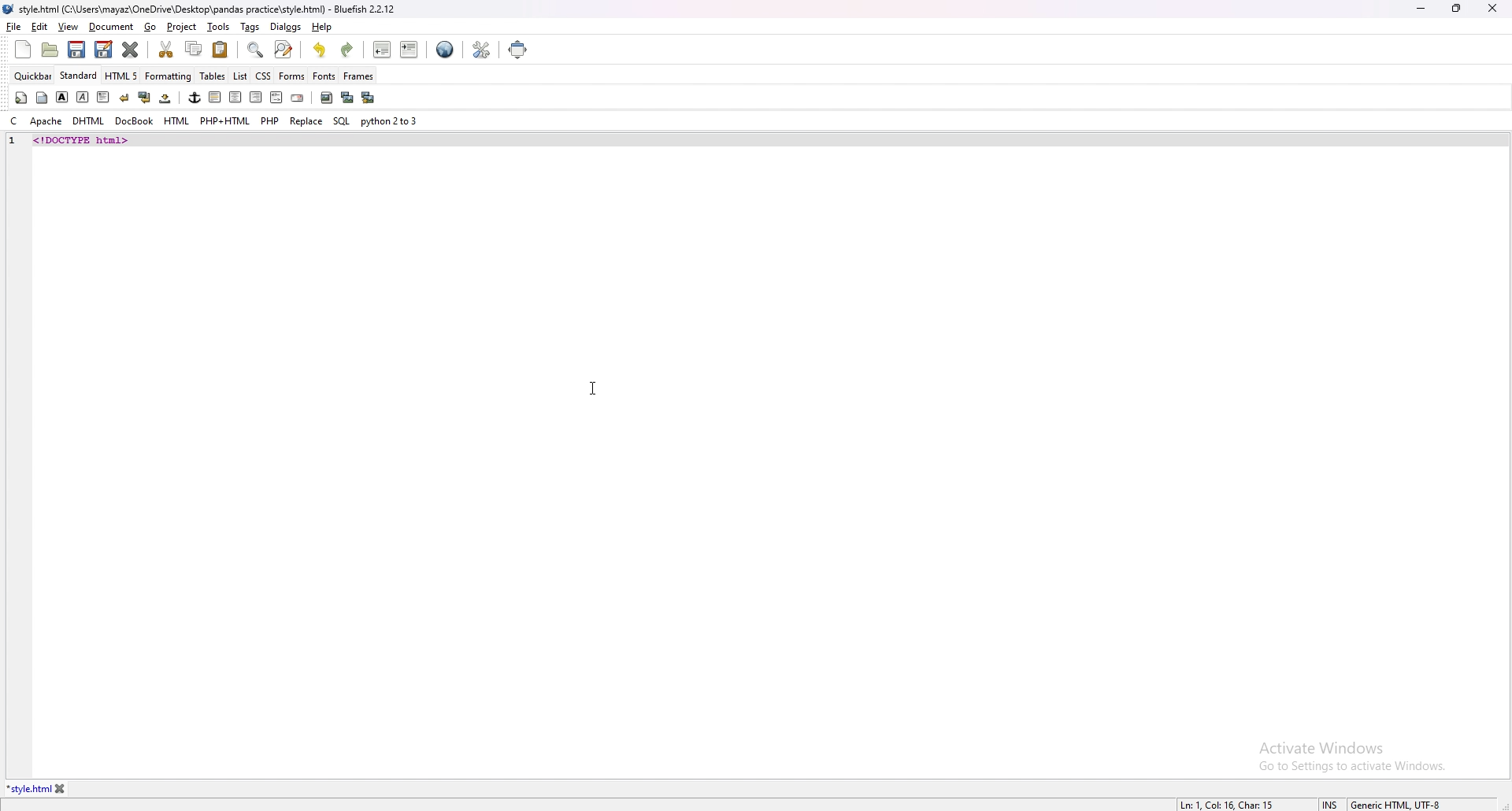  I want to click on save as, so click(103, 50).